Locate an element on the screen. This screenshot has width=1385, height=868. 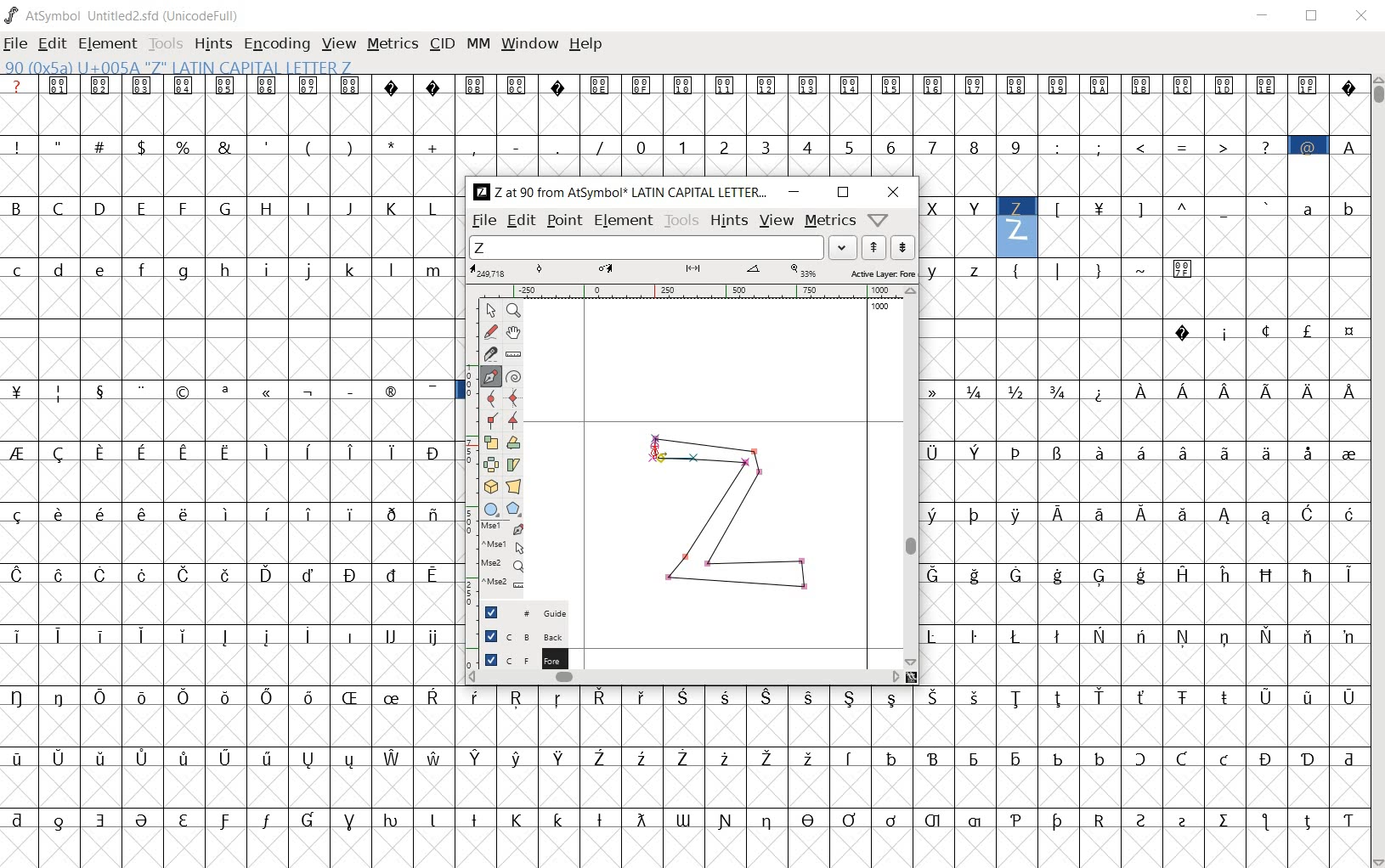
scale the selection is located at coordinates (489, 443).